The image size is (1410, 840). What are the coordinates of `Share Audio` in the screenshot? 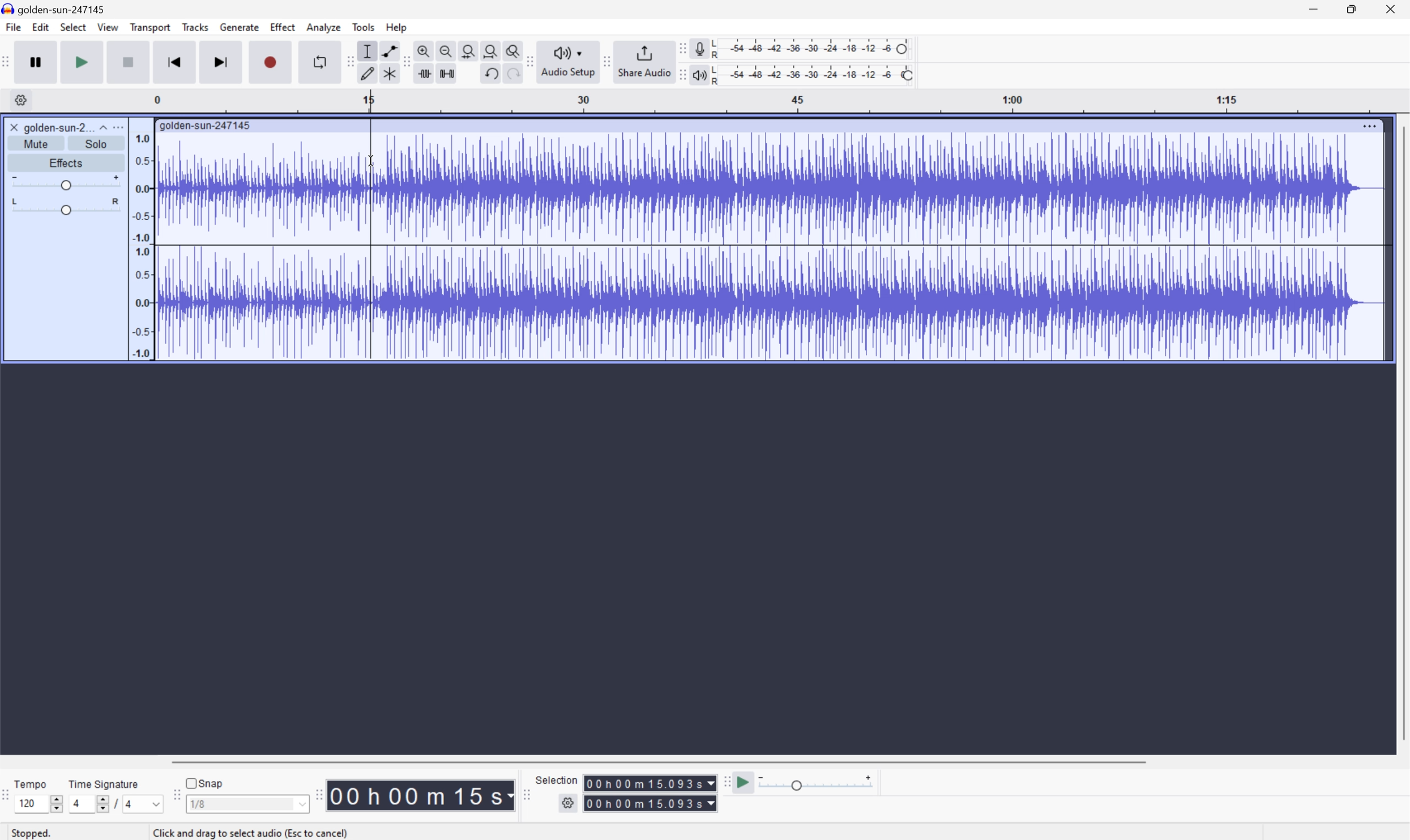 It's located at (642, 61).